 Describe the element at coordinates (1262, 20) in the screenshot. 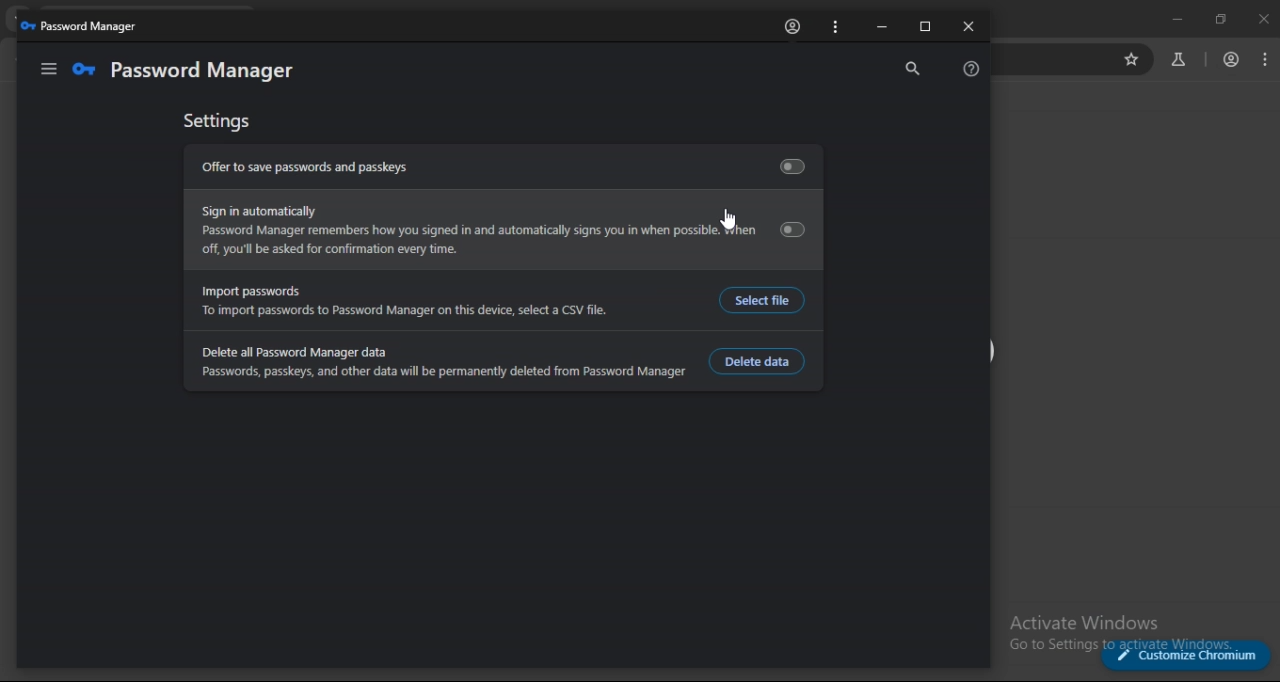

I see `close` at that location.